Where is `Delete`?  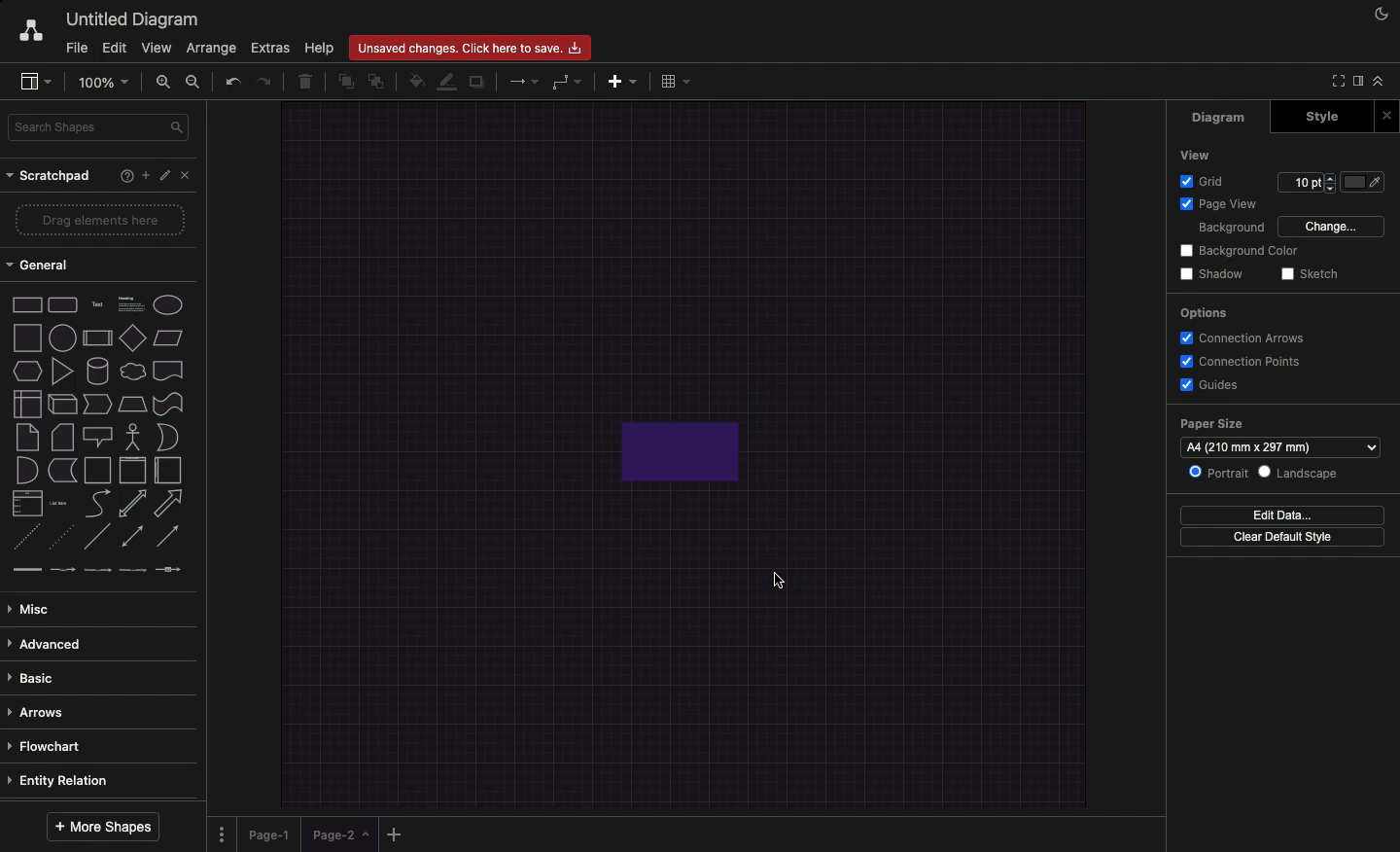
Delete is located at coordinates (307, 79).